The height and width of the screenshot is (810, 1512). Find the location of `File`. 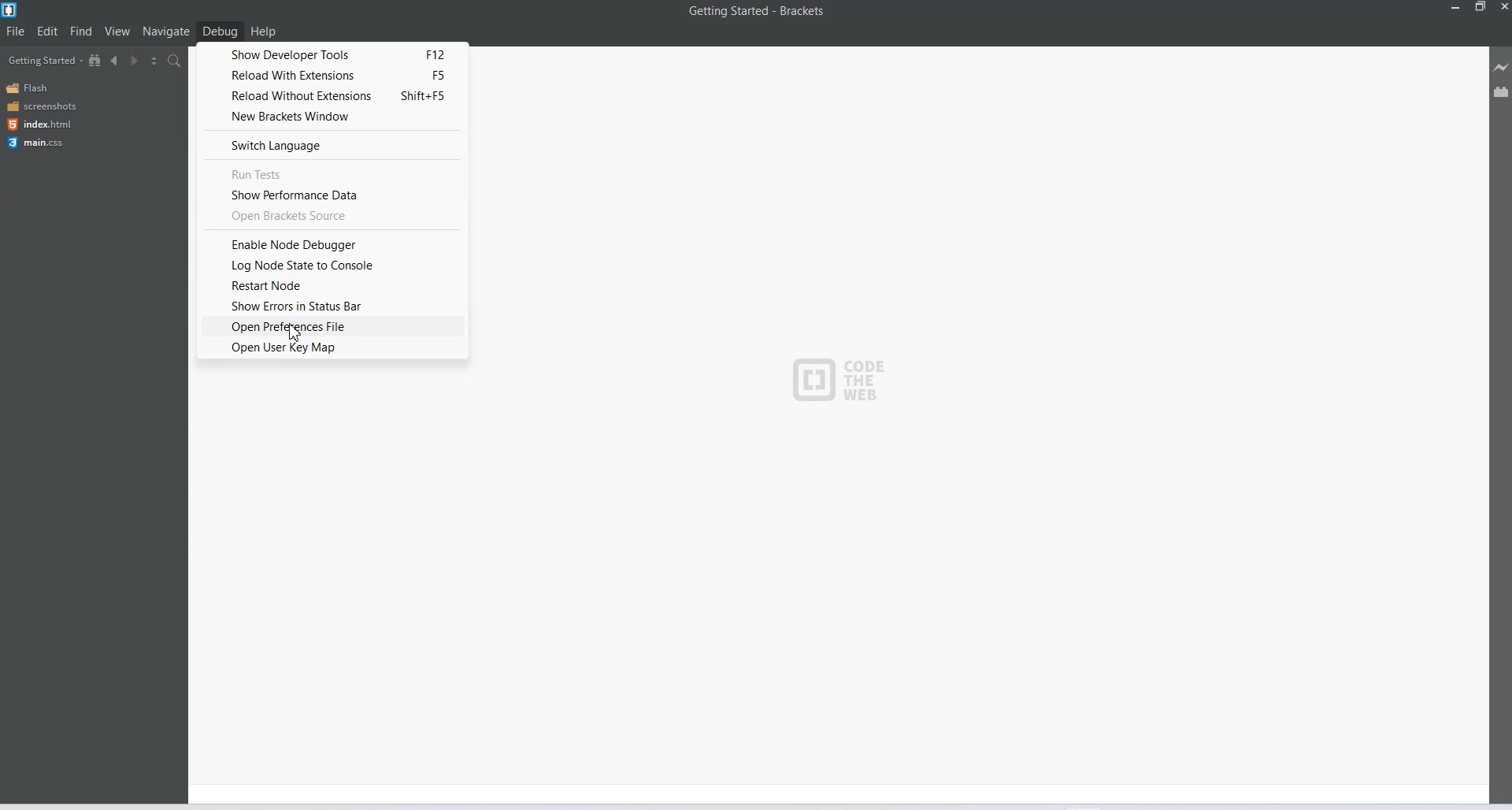

File is located at coordinates (16, 31).